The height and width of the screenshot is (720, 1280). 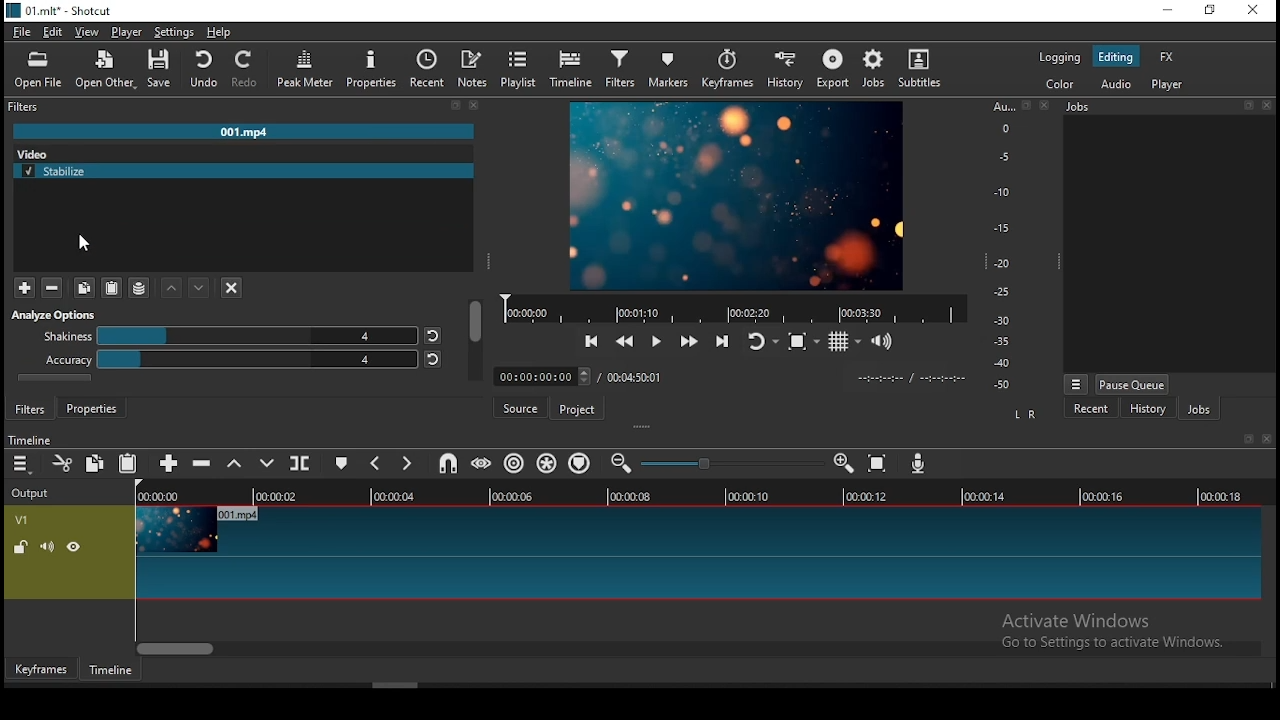 What do you see at coordinates (125, 32) in the screenshot?
I see `player` at bounding box center [125, 32].